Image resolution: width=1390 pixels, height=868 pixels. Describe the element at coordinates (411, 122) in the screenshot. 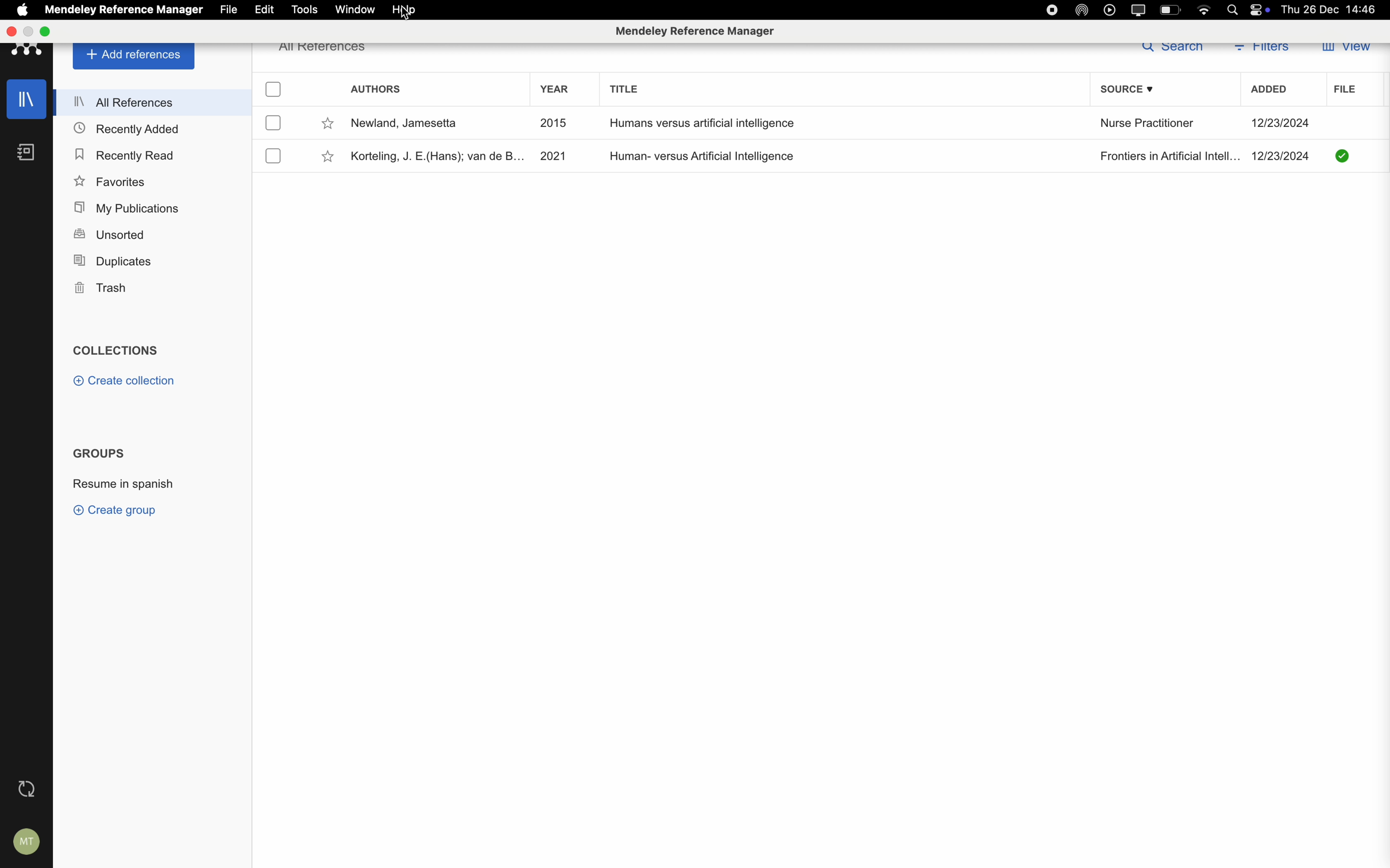

I see `Newland, Jamesetta` at that location.